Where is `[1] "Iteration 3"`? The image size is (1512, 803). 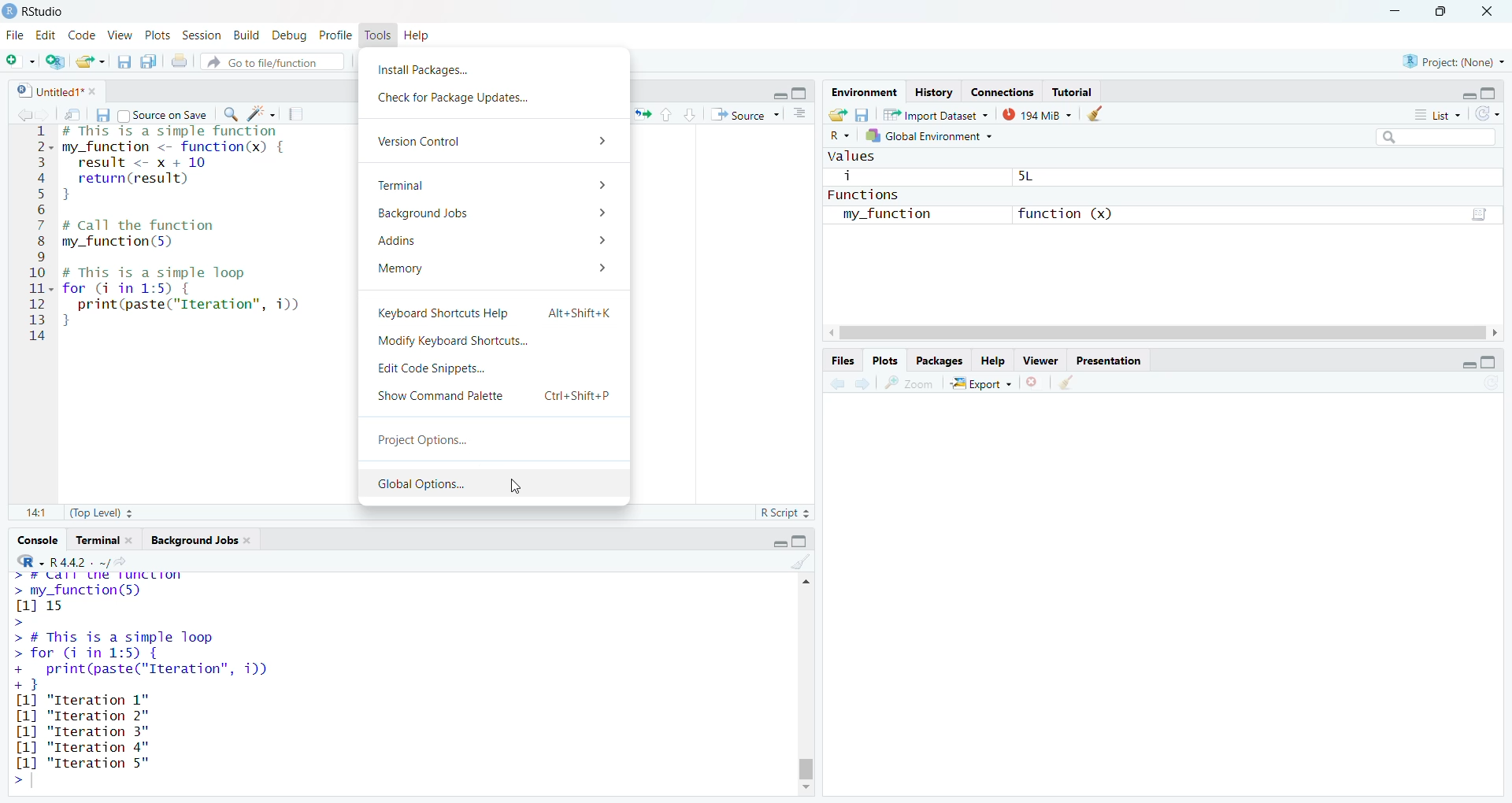 [1] "Iteration 3" is located at coordinates (80, 747).